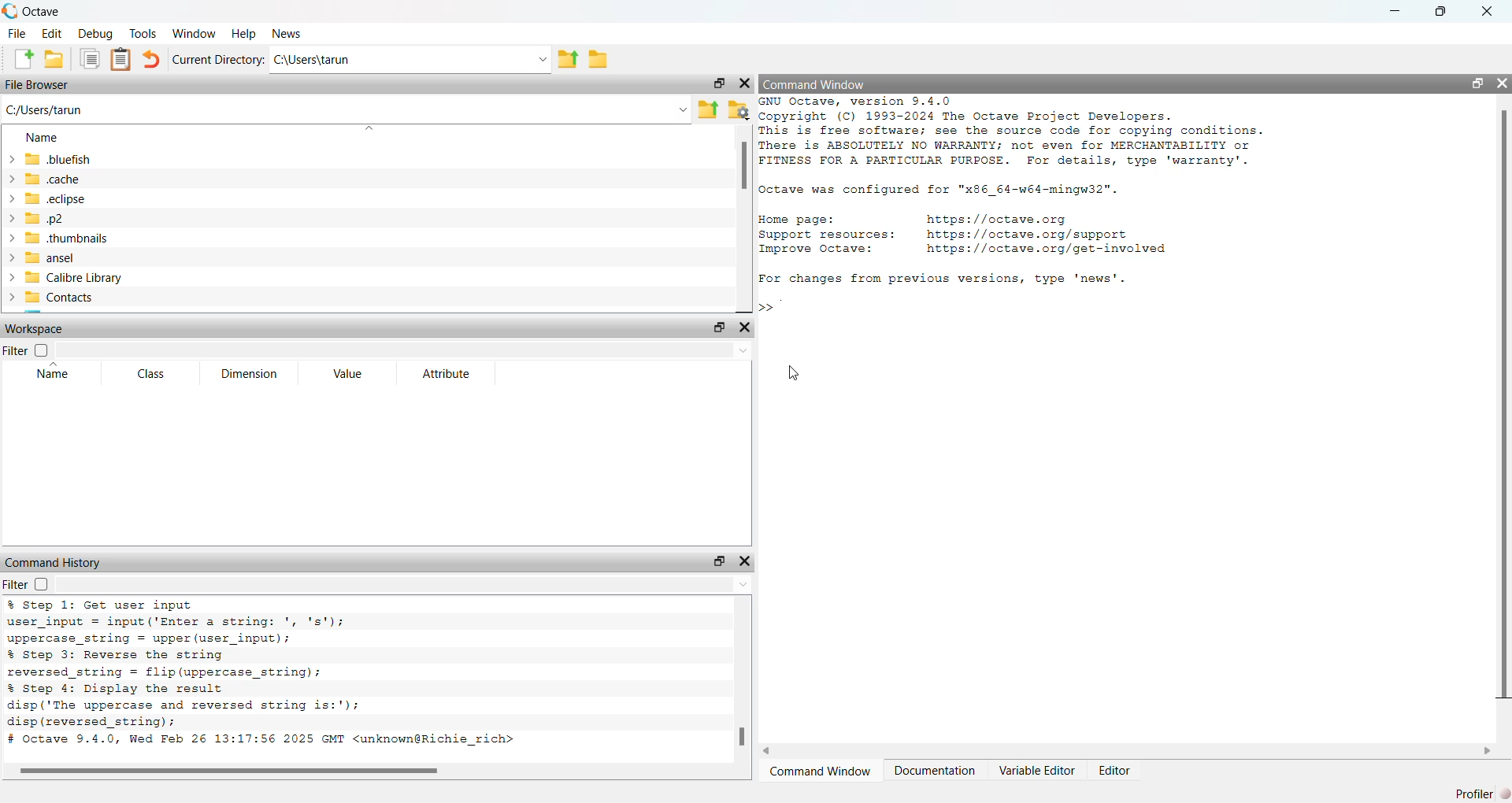 The width and height of the screenshot is (1512, 803). What do you see at coordinates (55, 61) in the screenshot?
I see `open an existing file in editor` at bounding box center [55, 61].